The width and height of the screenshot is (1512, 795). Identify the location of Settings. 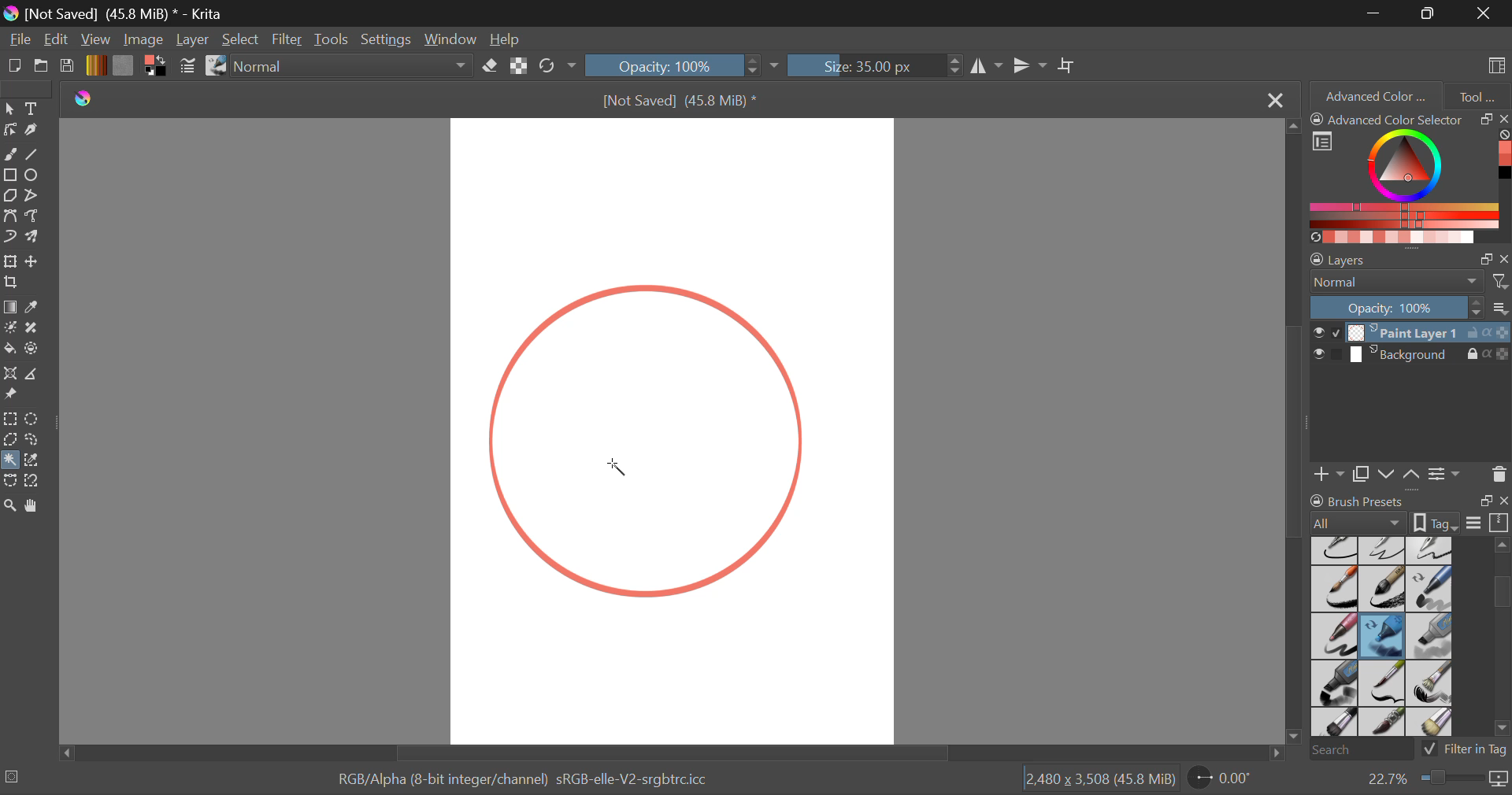
(1444, 473).